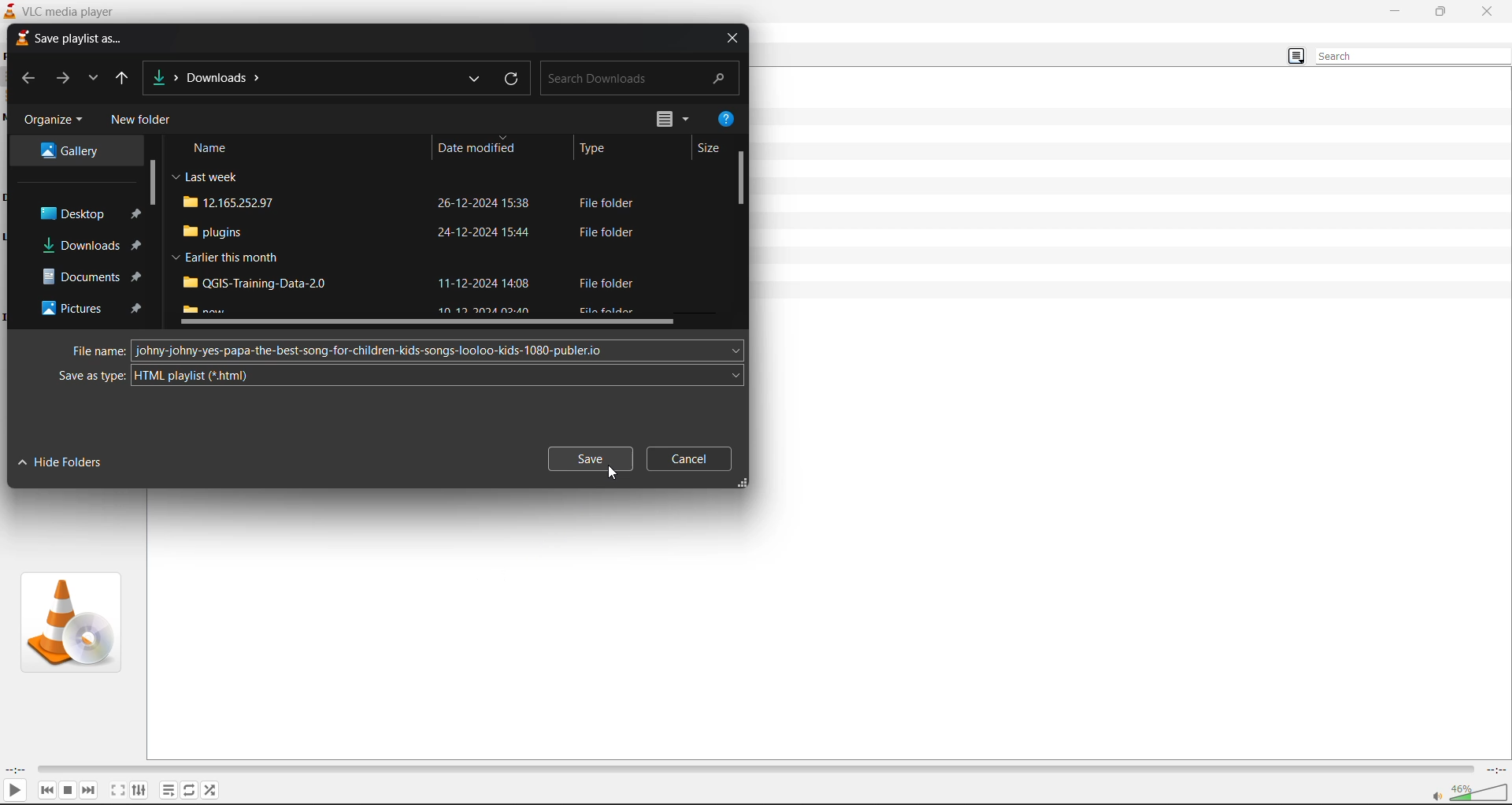  I want to click on save a s type, so click(90, 377).